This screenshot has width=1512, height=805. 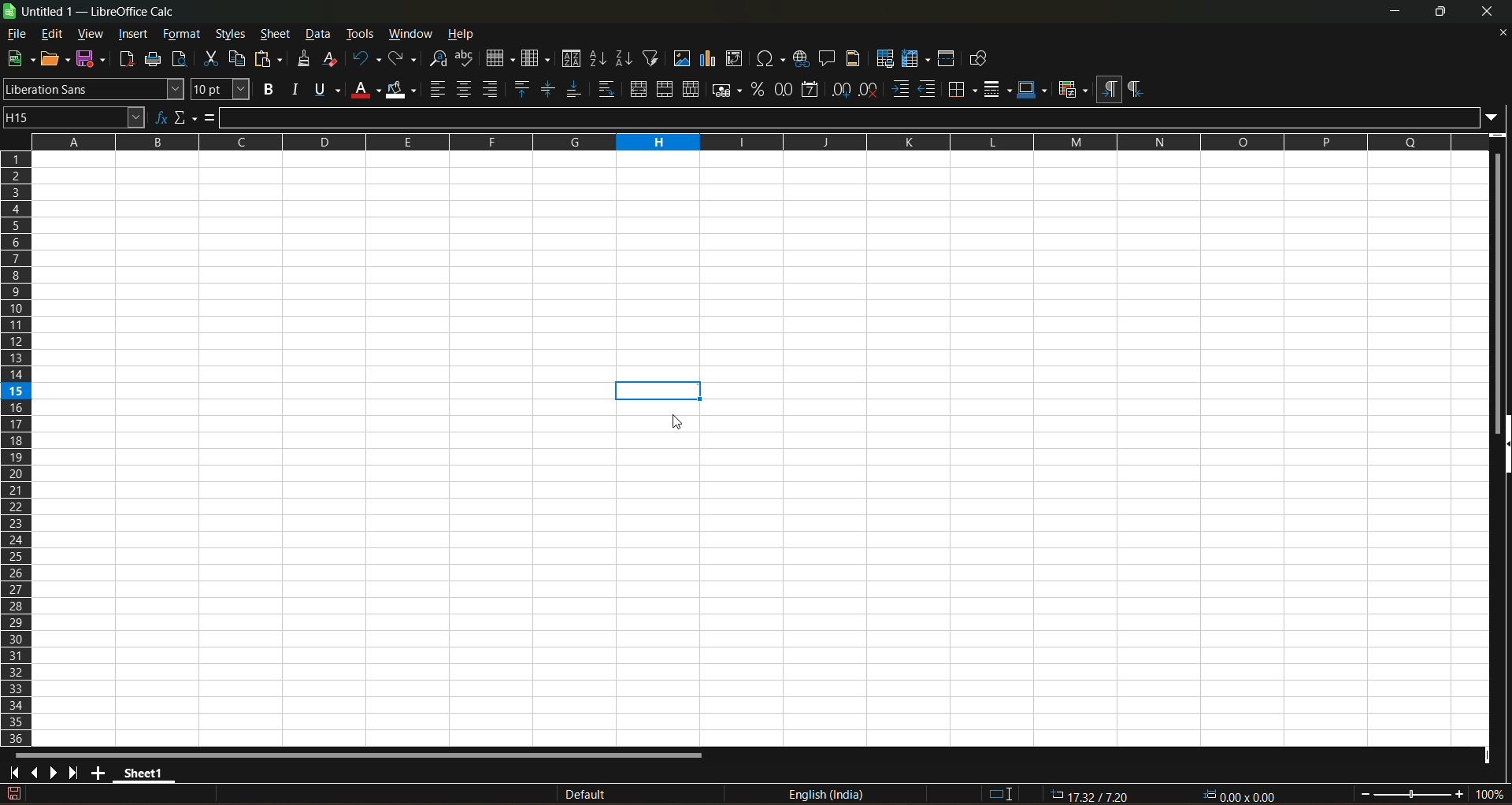 I want to click on border styles, so click(x=996, y=89).